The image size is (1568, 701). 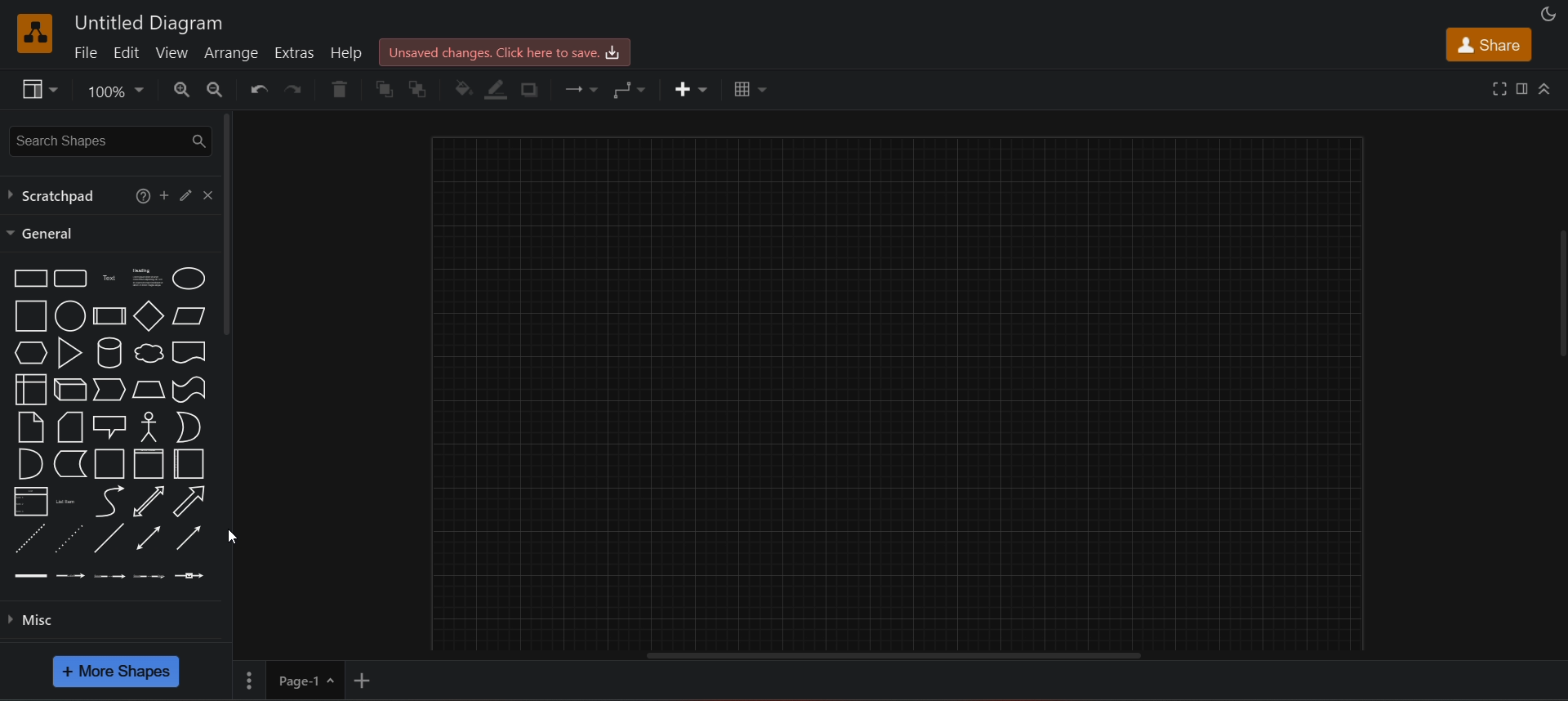 What do you see at coordinates (192, 501) in the screenshot?
I see `arrow` at bounding box center [192, 501].